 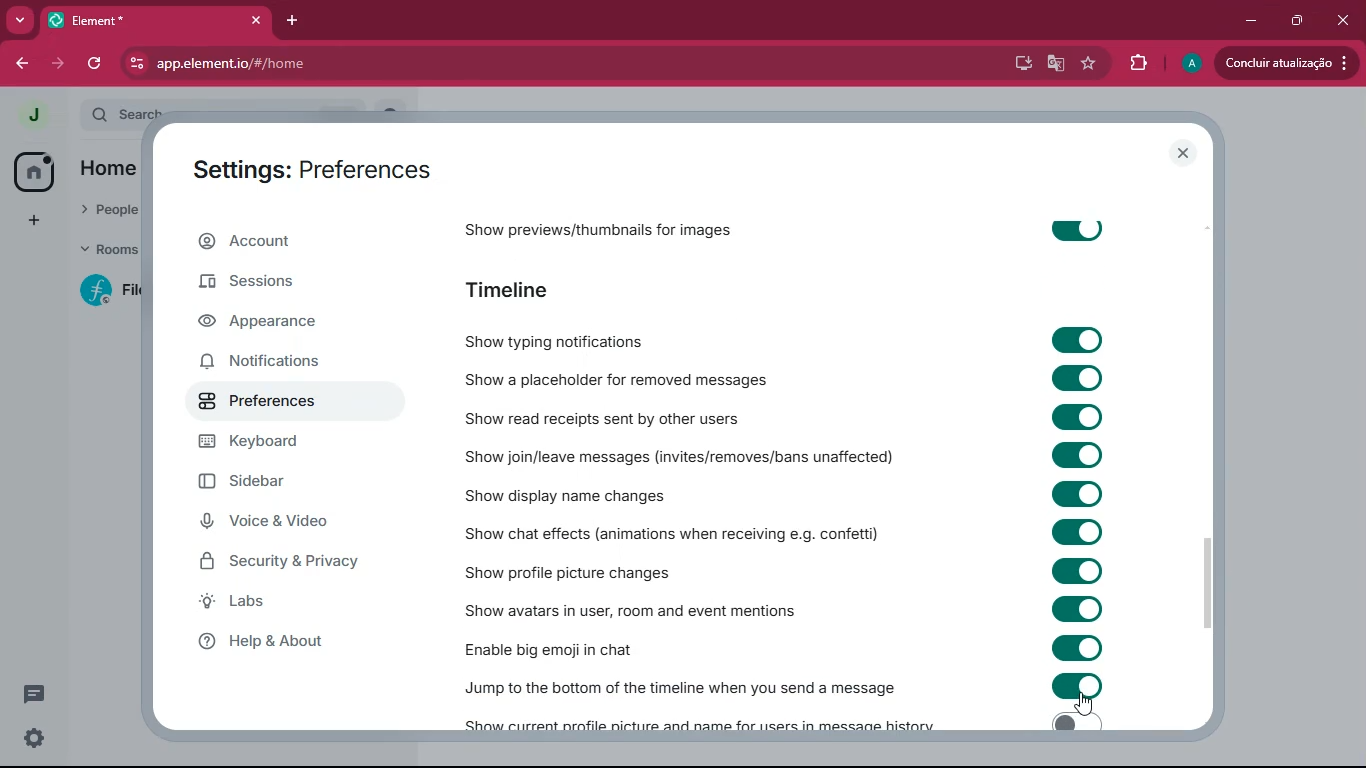 I want to click on show a placeholder for removed messages, so click(x=621, y=377).